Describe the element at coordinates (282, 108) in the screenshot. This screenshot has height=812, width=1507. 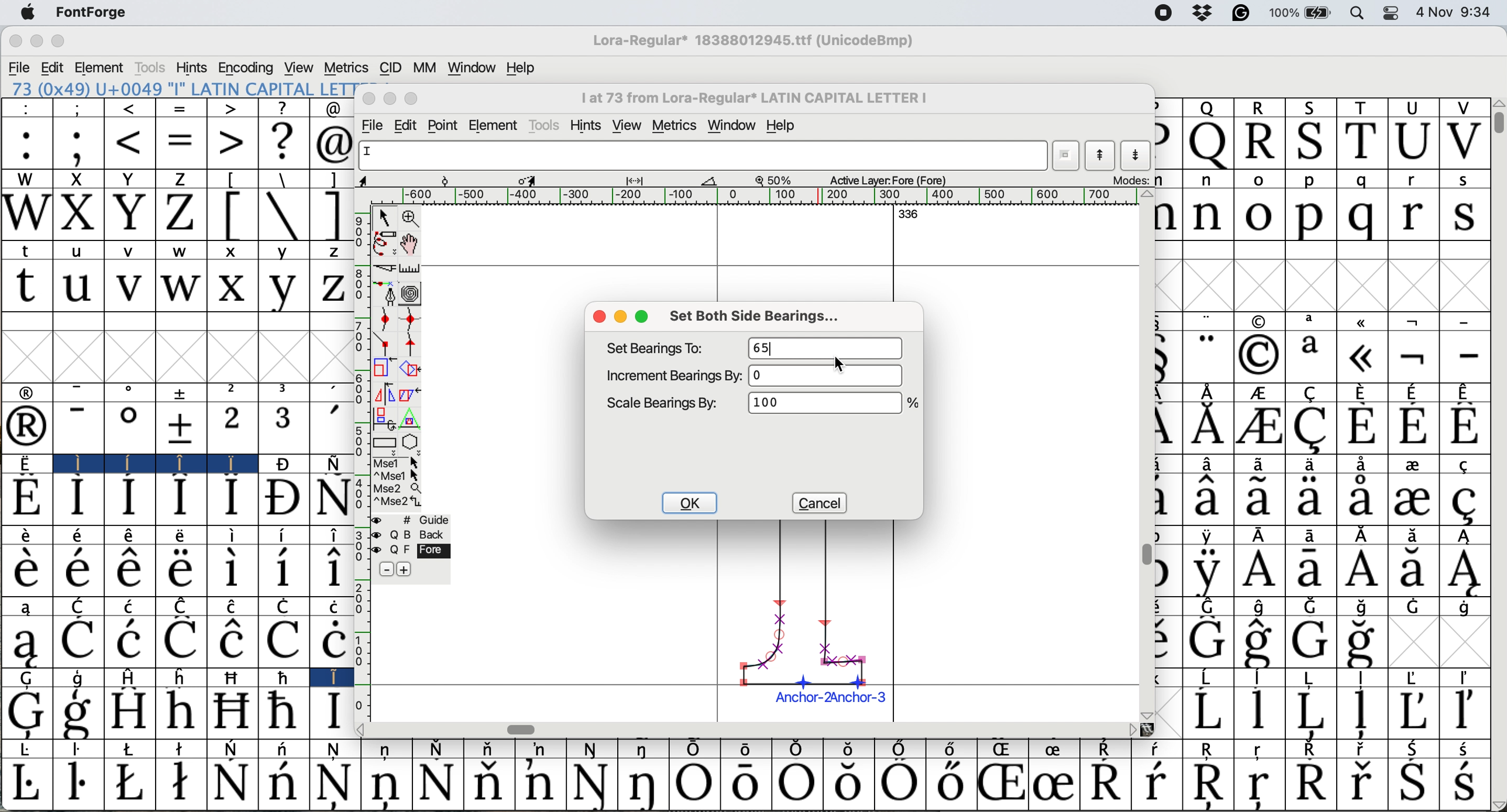
I see `?` at that location.